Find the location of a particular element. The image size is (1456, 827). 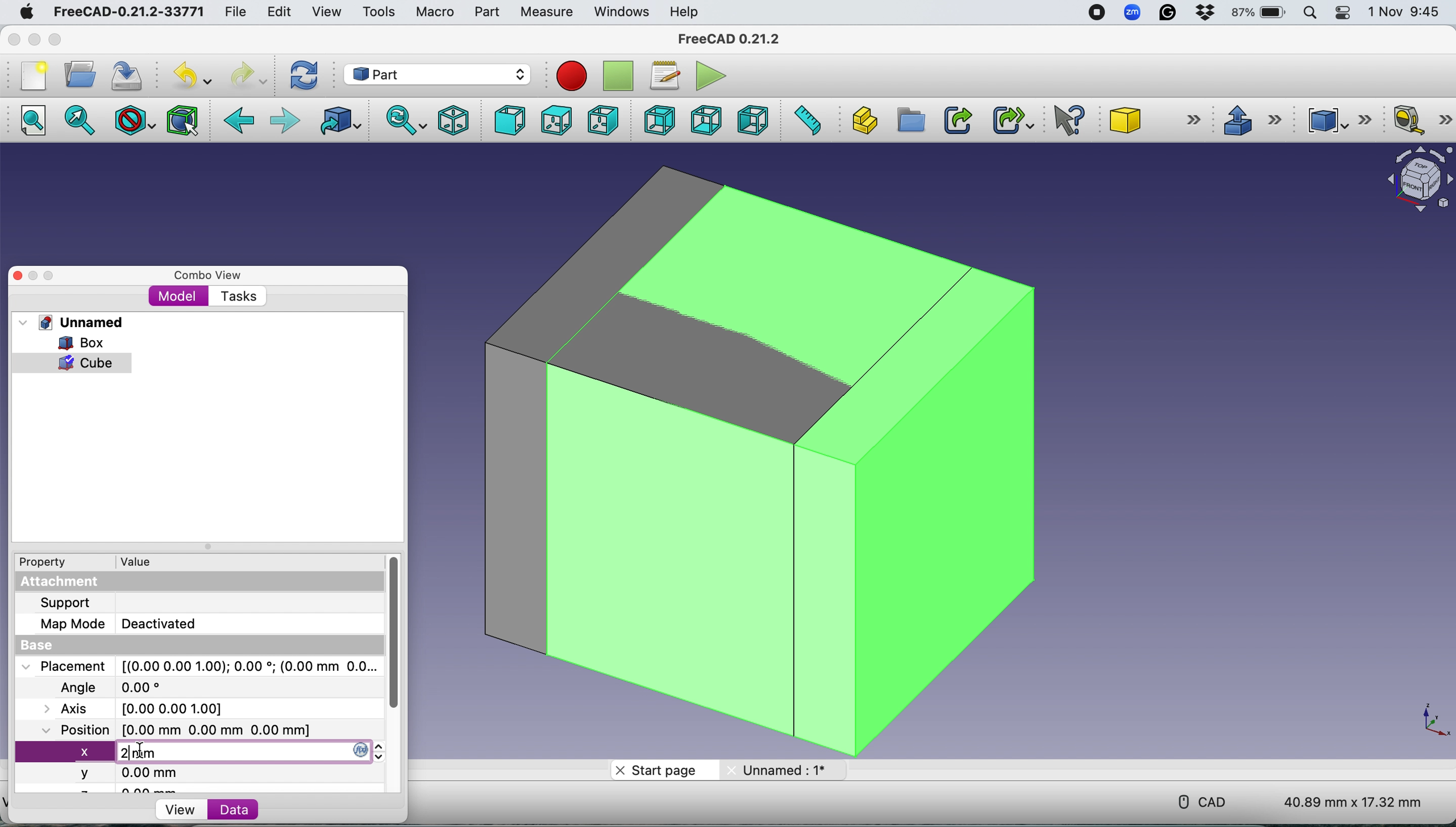

What's this? is located at coordinates (1071, 120).